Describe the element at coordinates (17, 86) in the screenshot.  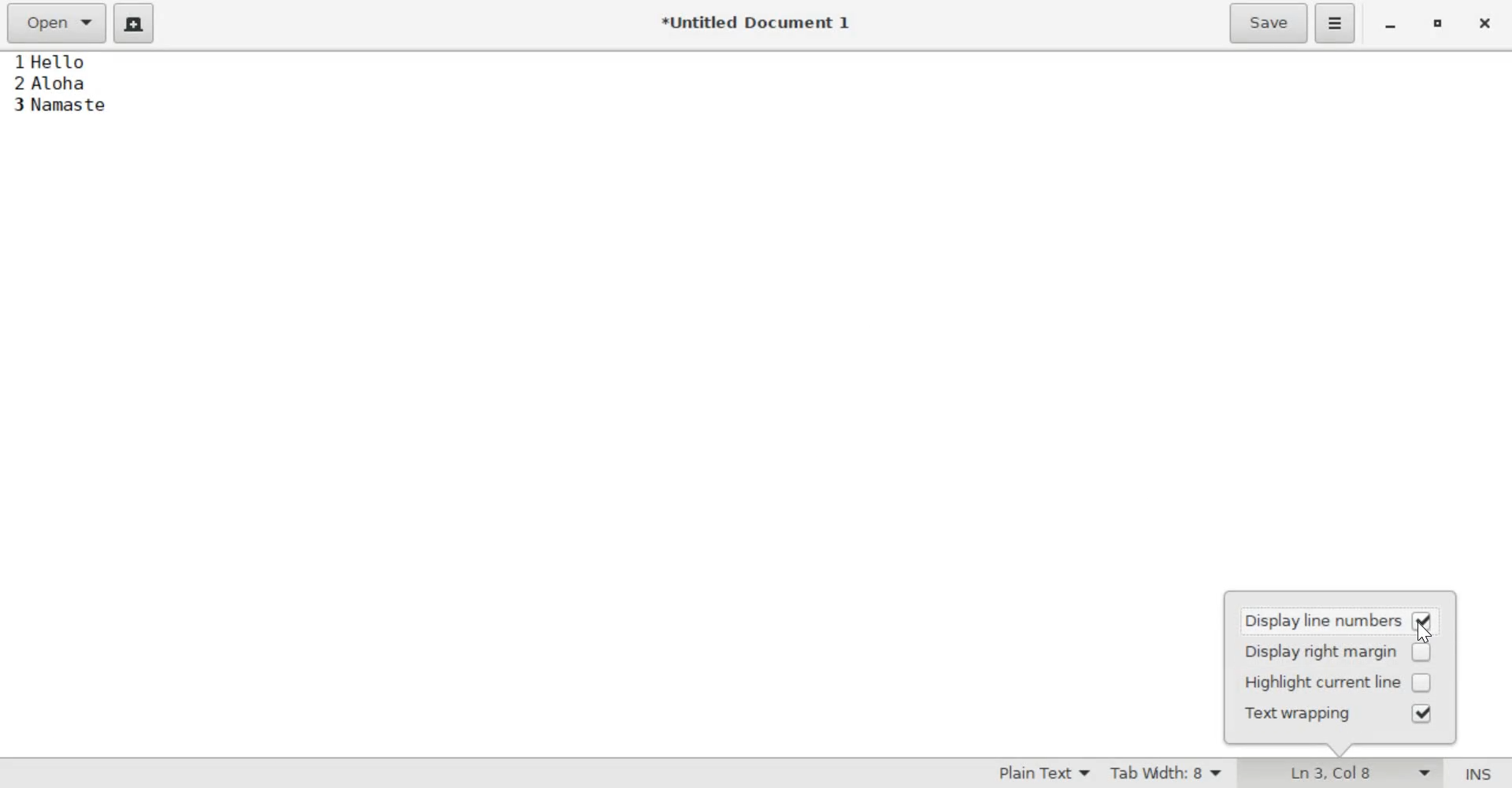
I see `line numbers` at that location.